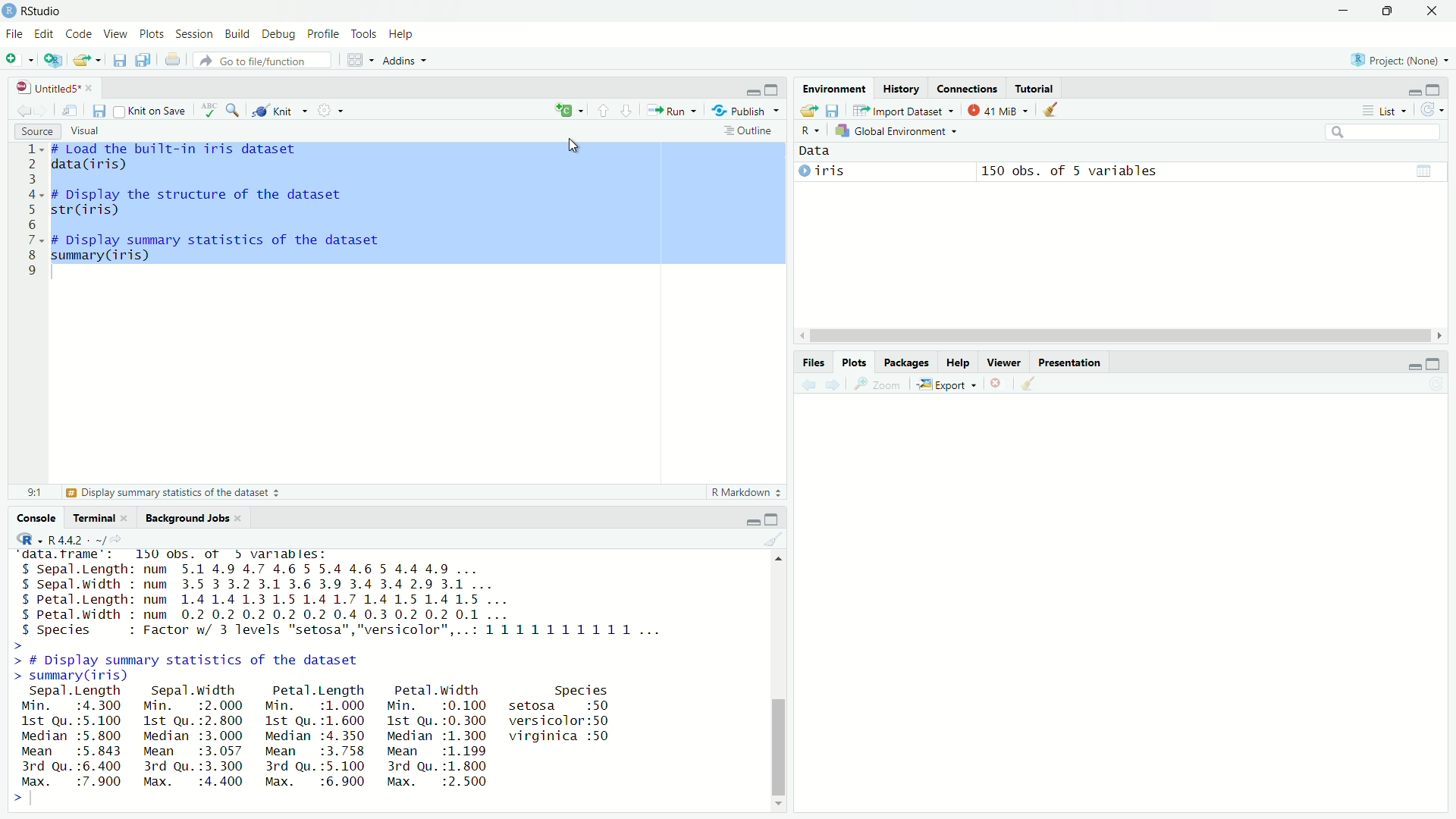 Image resolution: width=1456 pixels, height=819 pixels. What do you see at coordinates (234, 110) in the screenshot?
I see `Find/Replace` at bounding box center [234, 110].